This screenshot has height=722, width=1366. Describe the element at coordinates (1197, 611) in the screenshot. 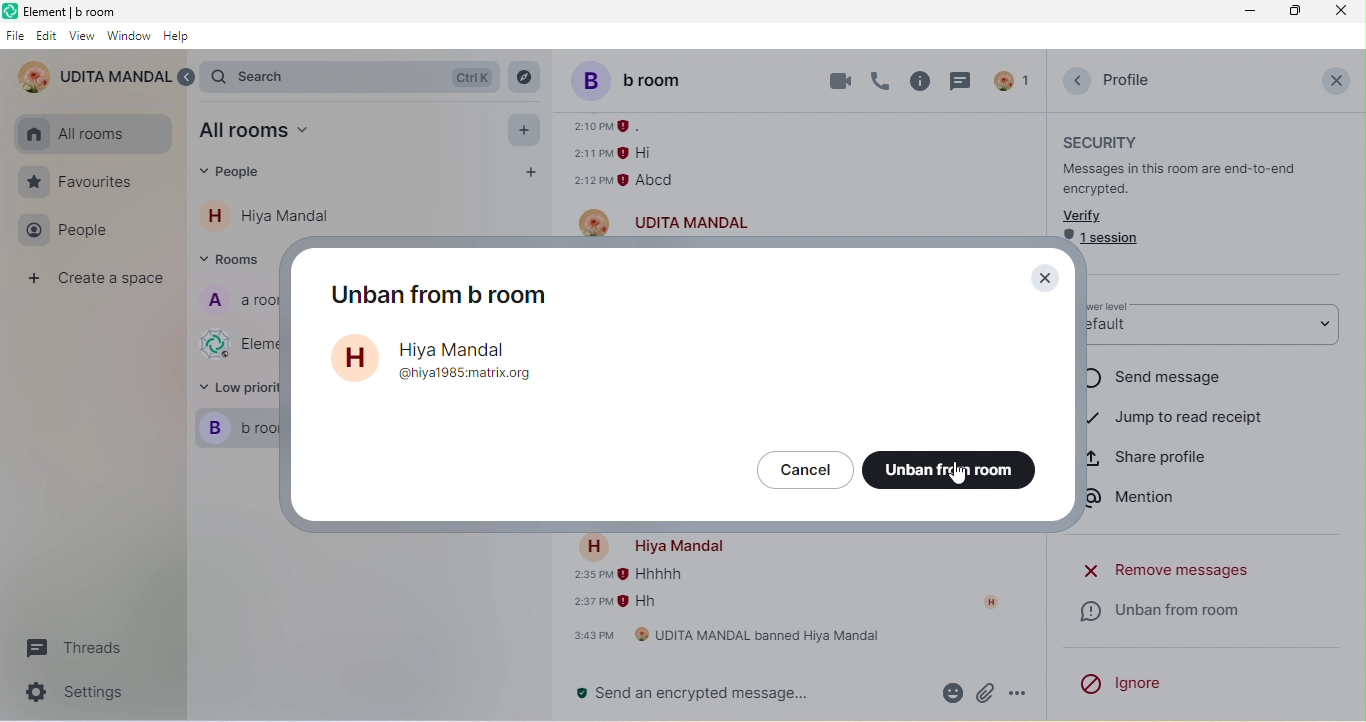

I see `unban from room` at that location.